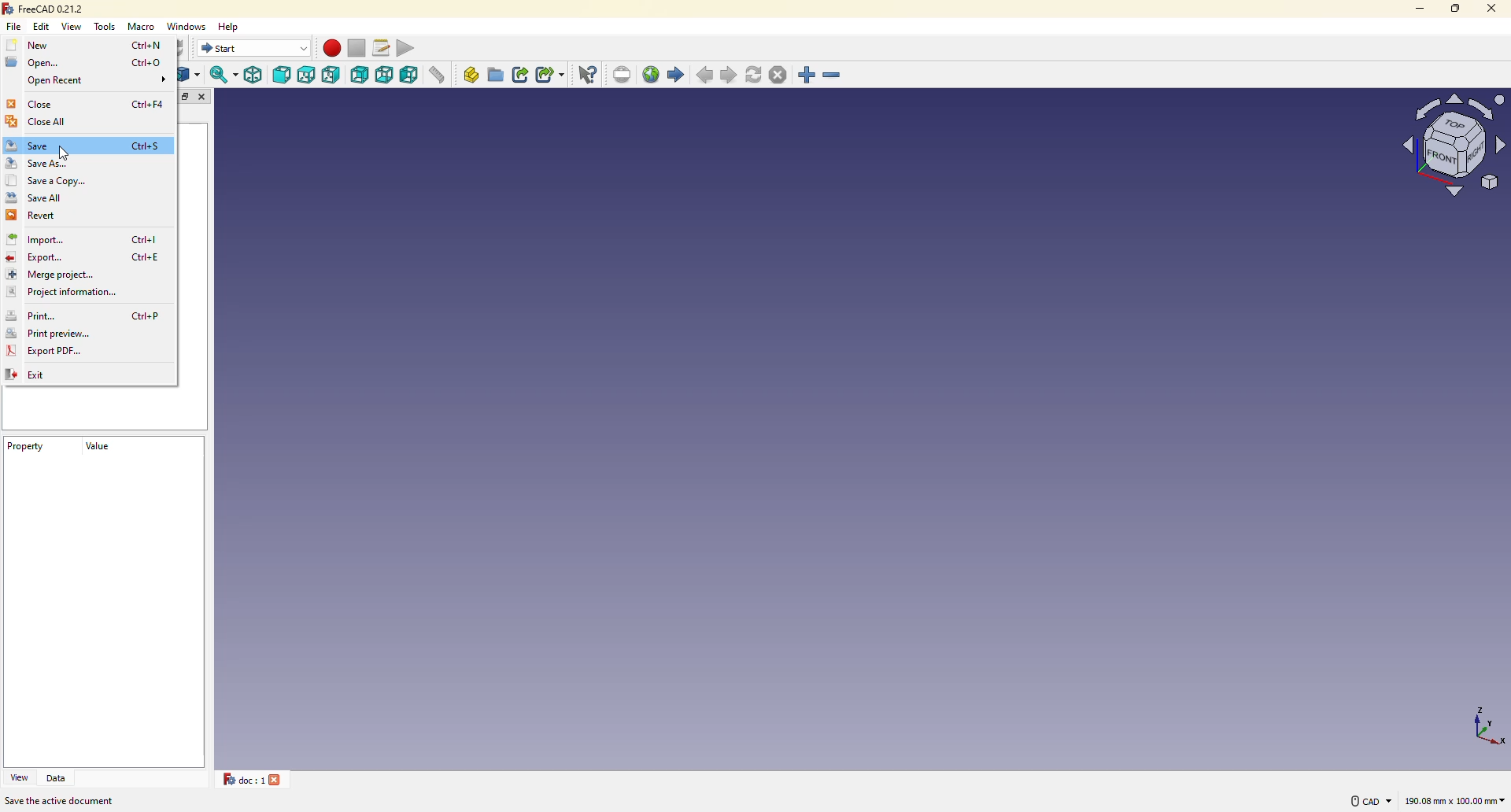 This screenshot has height=812, width=1511. Describe the element at coordinates (589, 74) in the screenshot. I see `what's this` at that location.